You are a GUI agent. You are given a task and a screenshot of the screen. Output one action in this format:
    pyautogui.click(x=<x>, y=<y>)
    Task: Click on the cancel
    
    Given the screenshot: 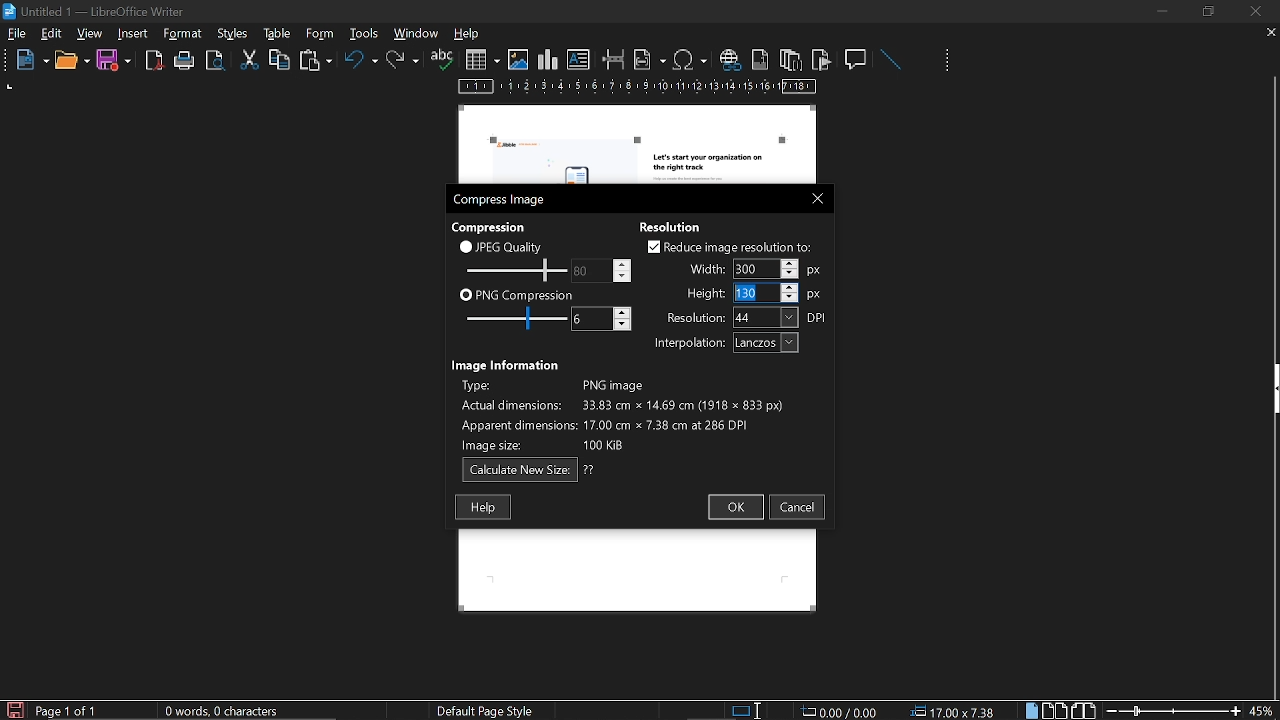 What is the action you would take?
    pyautogui.click(x=798, y=507)
    